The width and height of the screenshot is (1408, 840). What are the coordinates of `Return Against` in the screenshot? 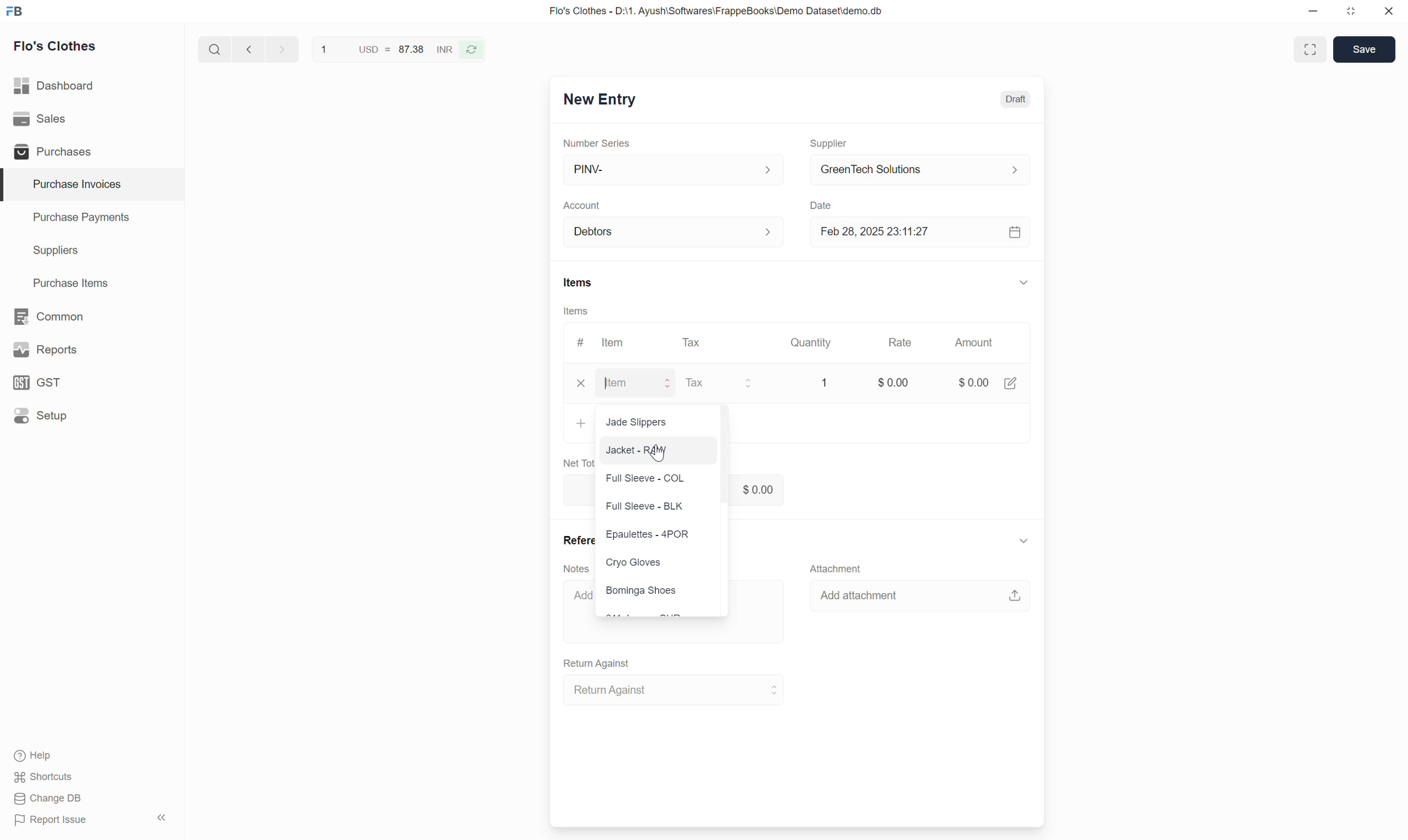 It's located at (598, 664).